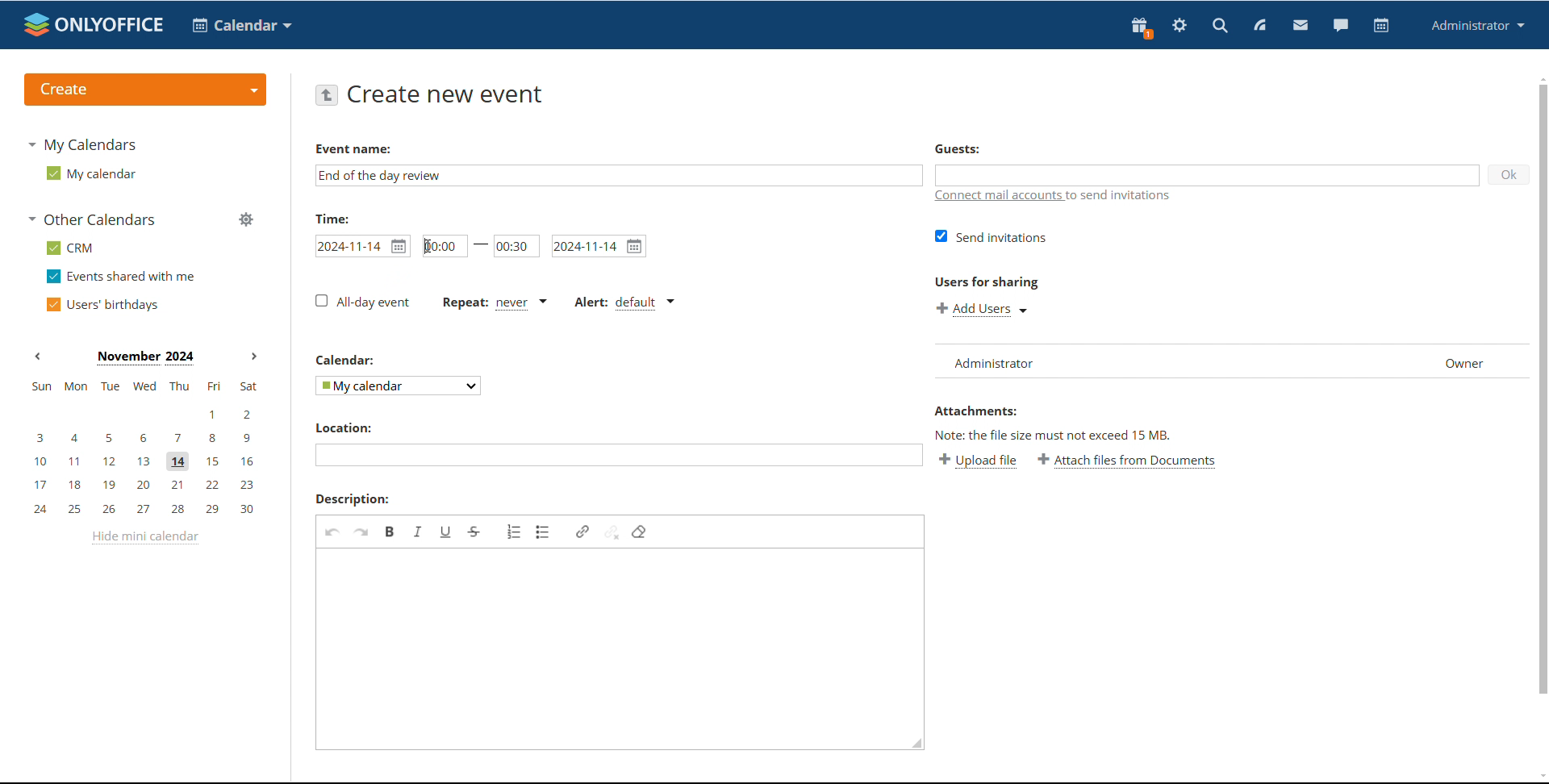 The width and height of the screenshot is (1549, 784). Describe the element at coordinates (332, 218) in the screenshot. I see `time` at that location.